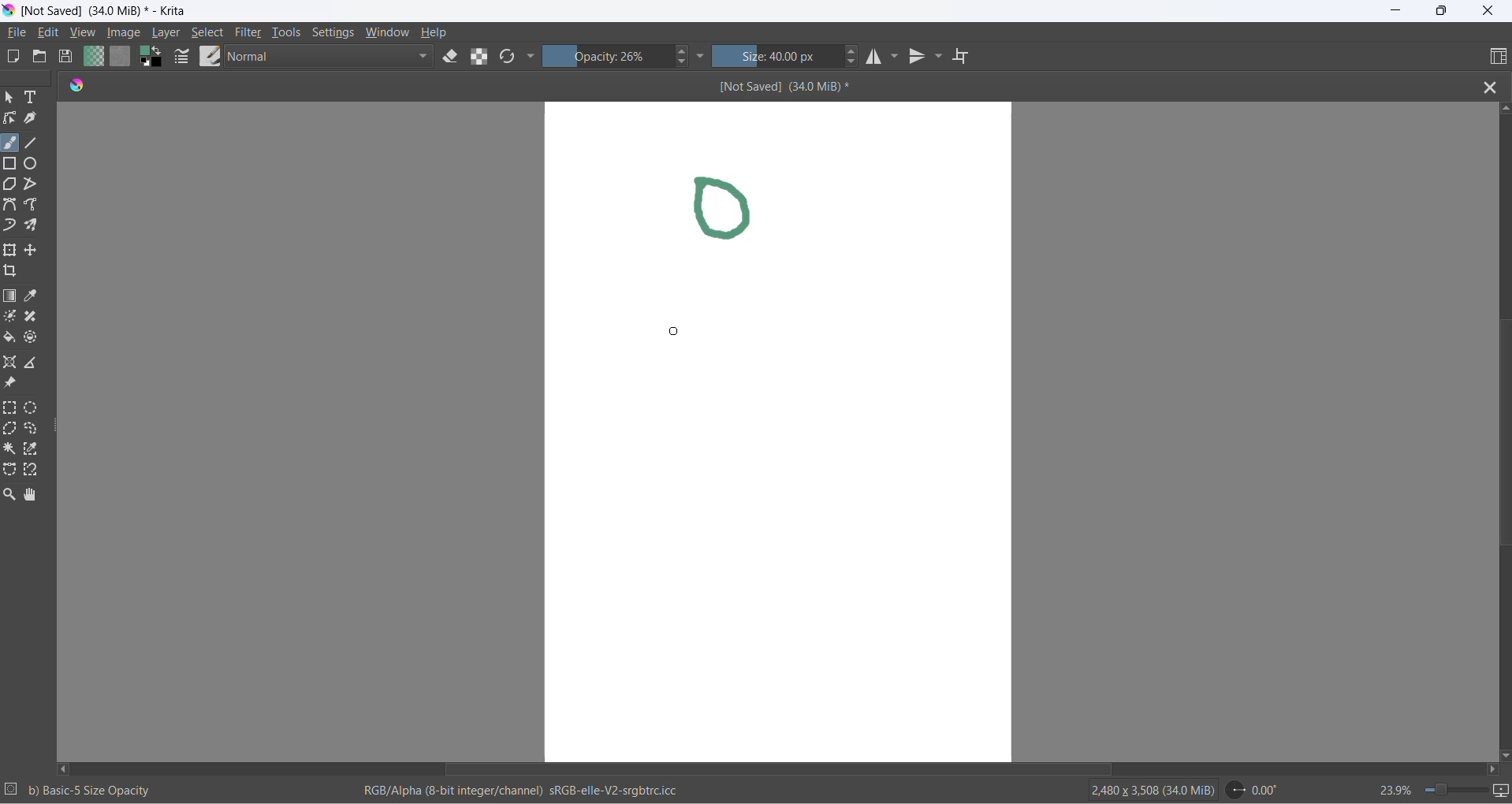  I want to click on fill gradients, so click(93, 57).